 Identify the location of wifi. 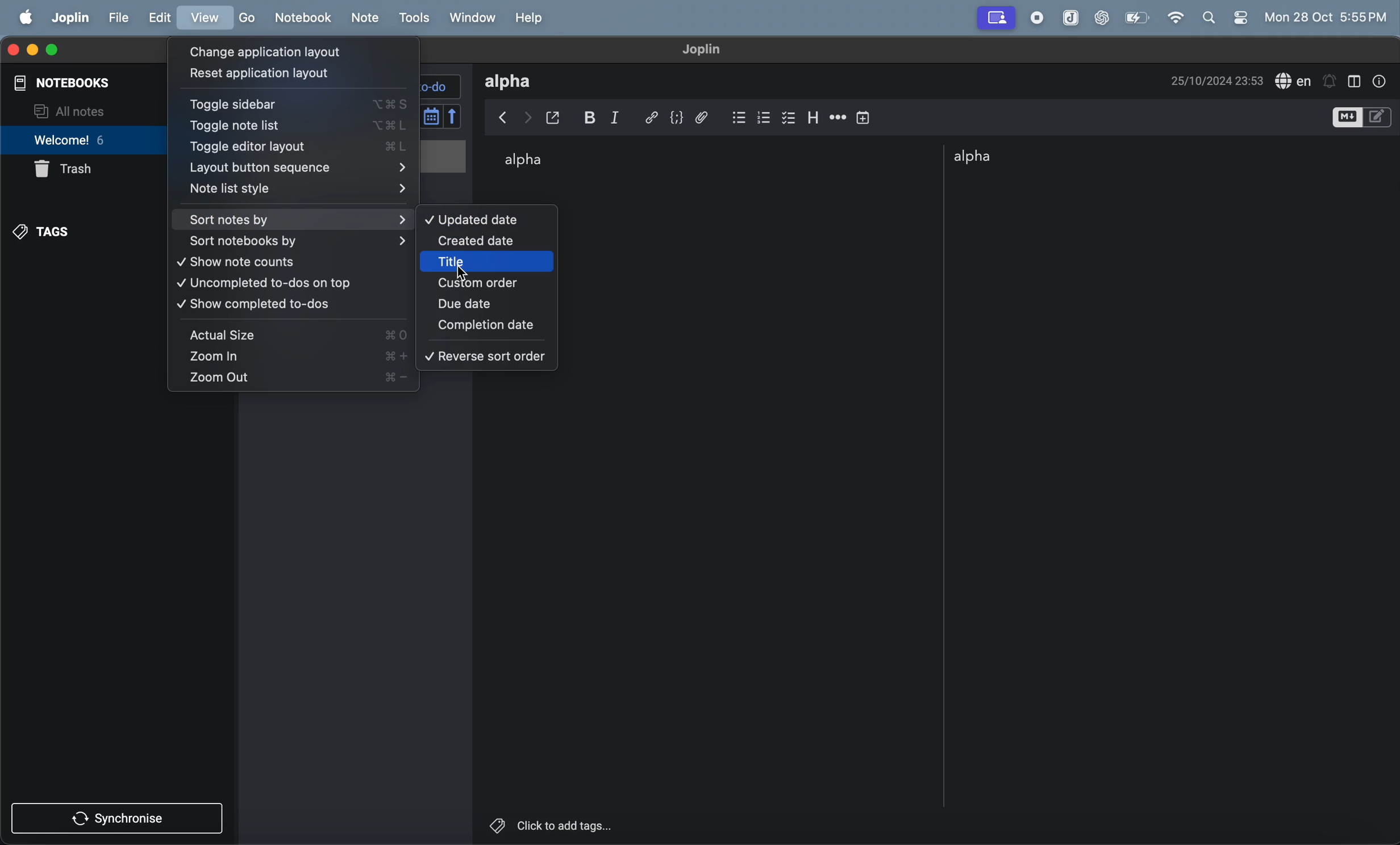
(1177, 18).